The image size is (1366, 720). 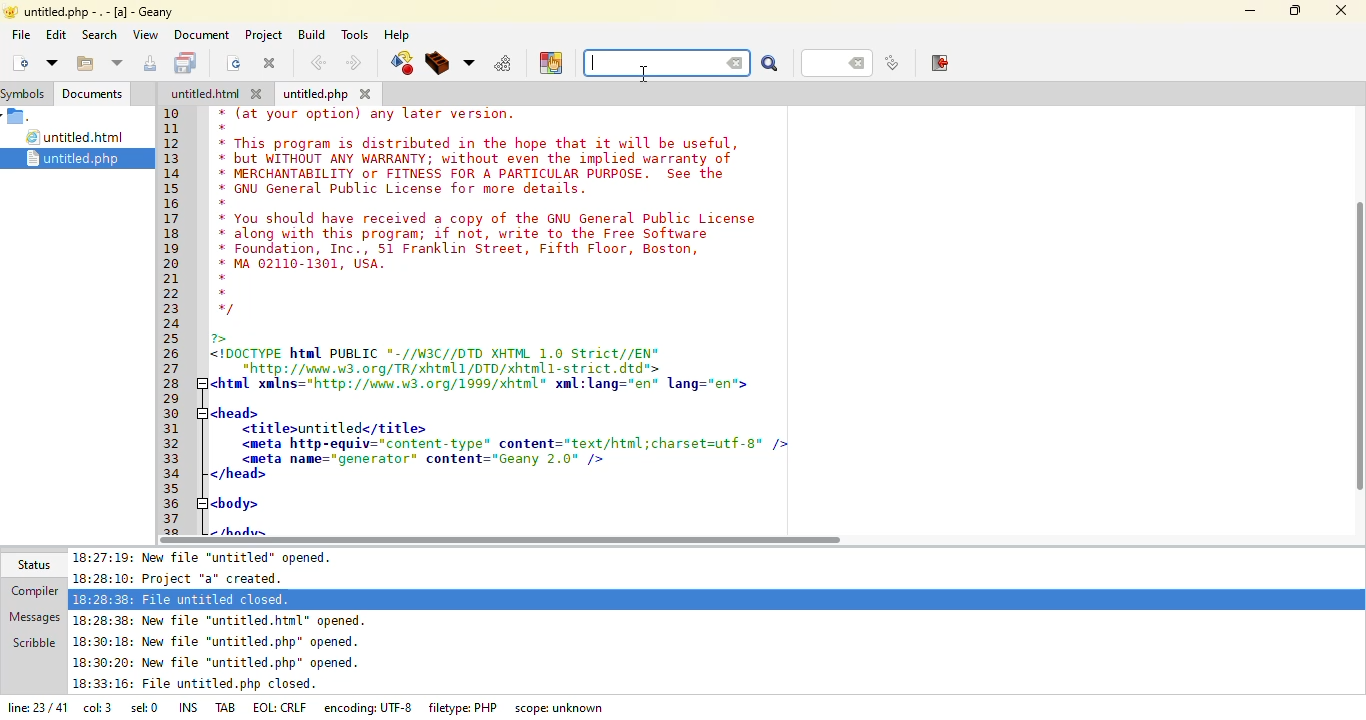 I want to click on untitled.php-.-[a]-Geany, so click(x=92, y=12).